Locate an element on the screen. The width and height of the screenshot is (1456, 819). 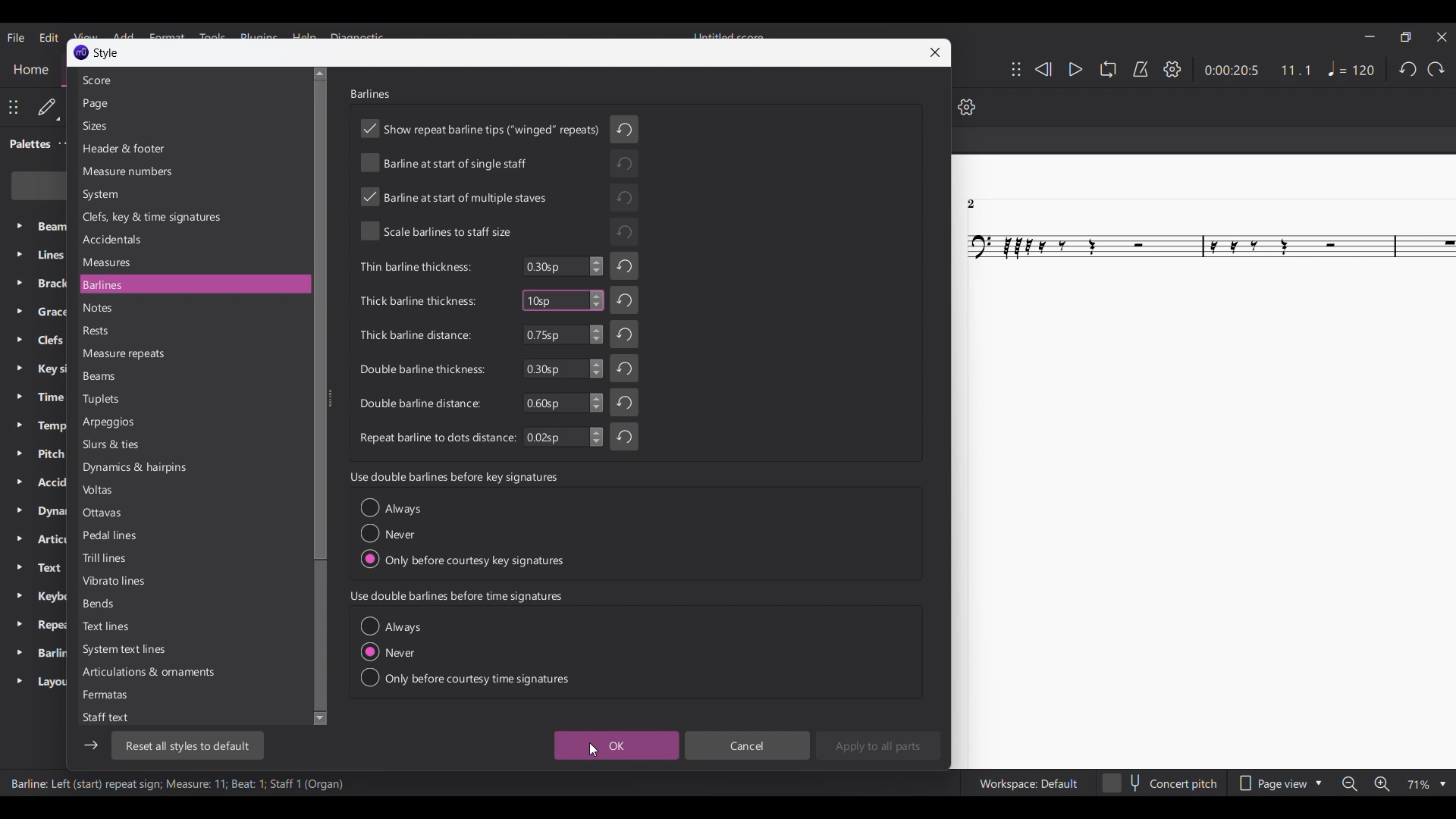
Reset to default is located at coordinates (188, 745).